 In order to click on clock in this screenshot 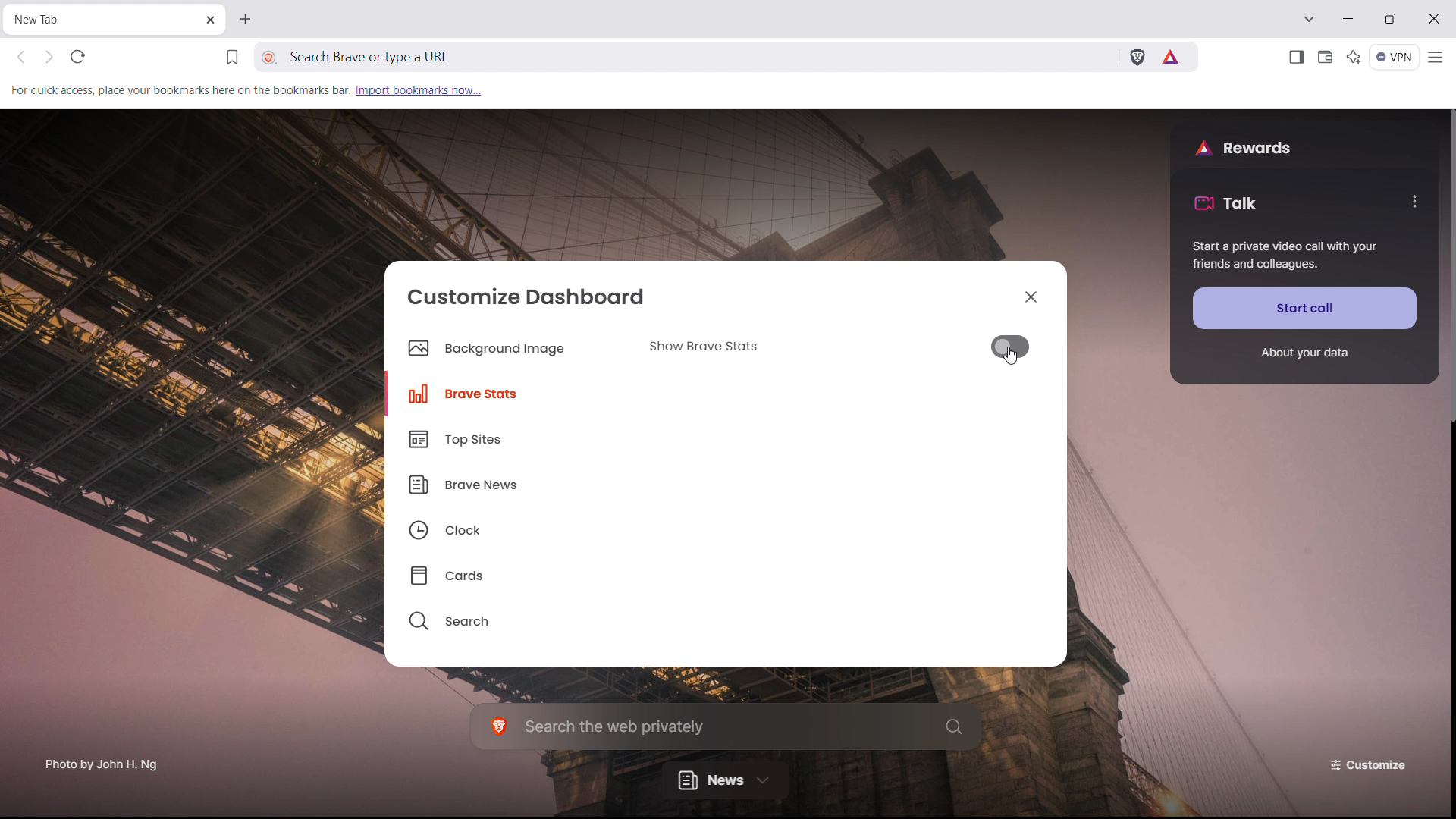, I will do `click(507, 526)`.